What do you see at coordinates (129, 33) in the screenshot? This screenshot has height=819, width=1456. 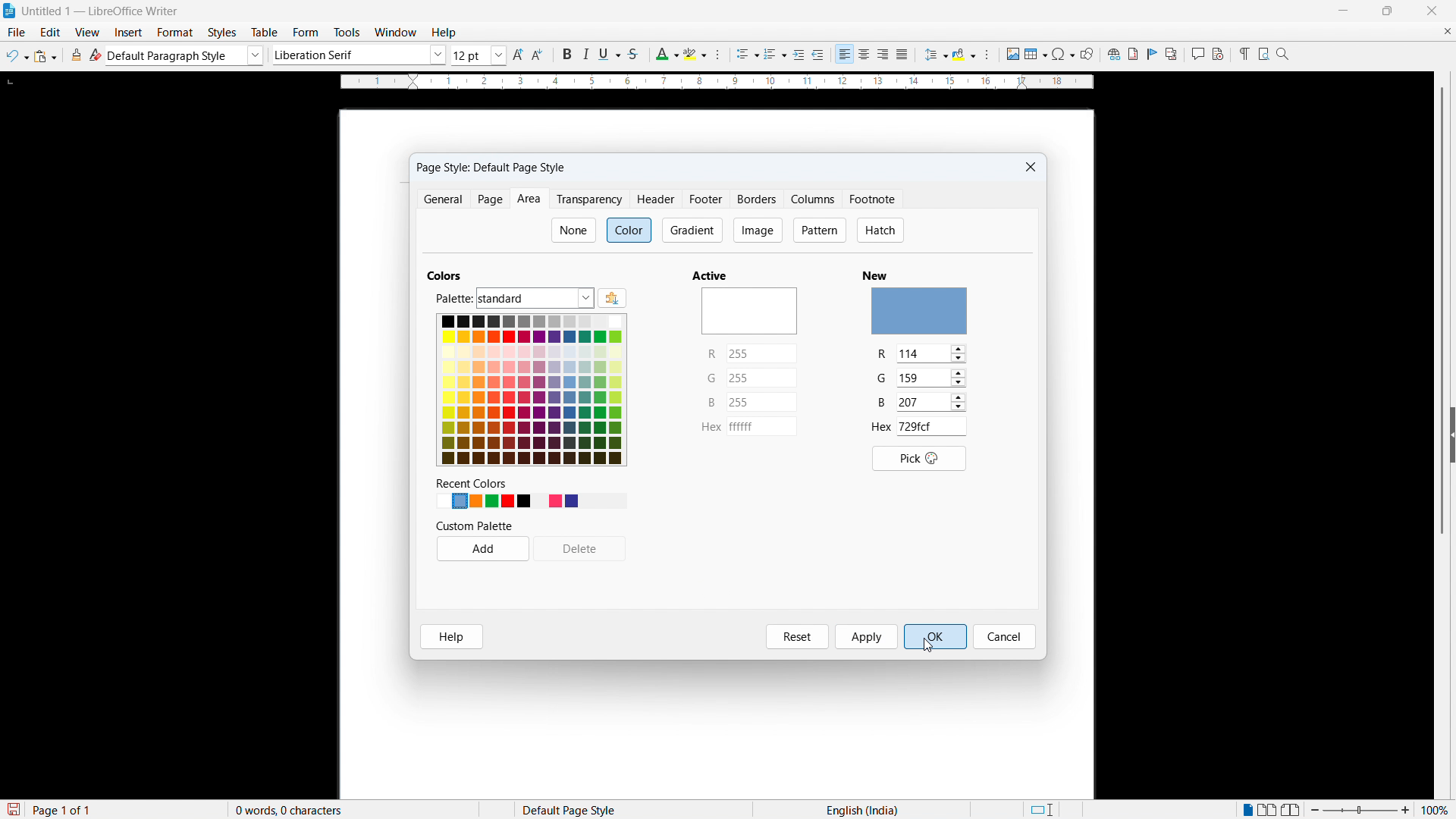 I see `Insert ` at bounding box center [129, 33].